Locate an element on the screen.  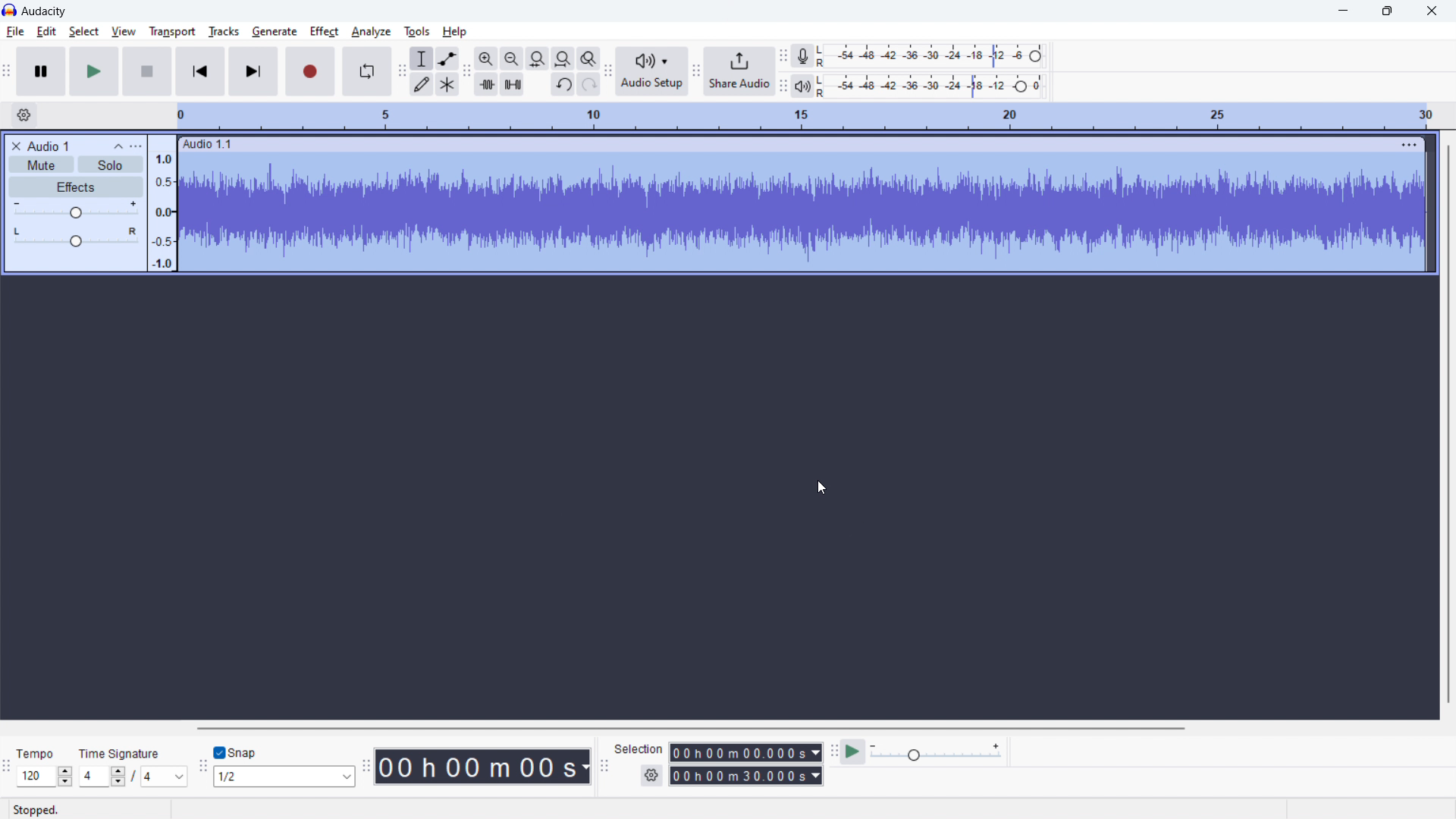
solo is located at coordinates (109, 165).